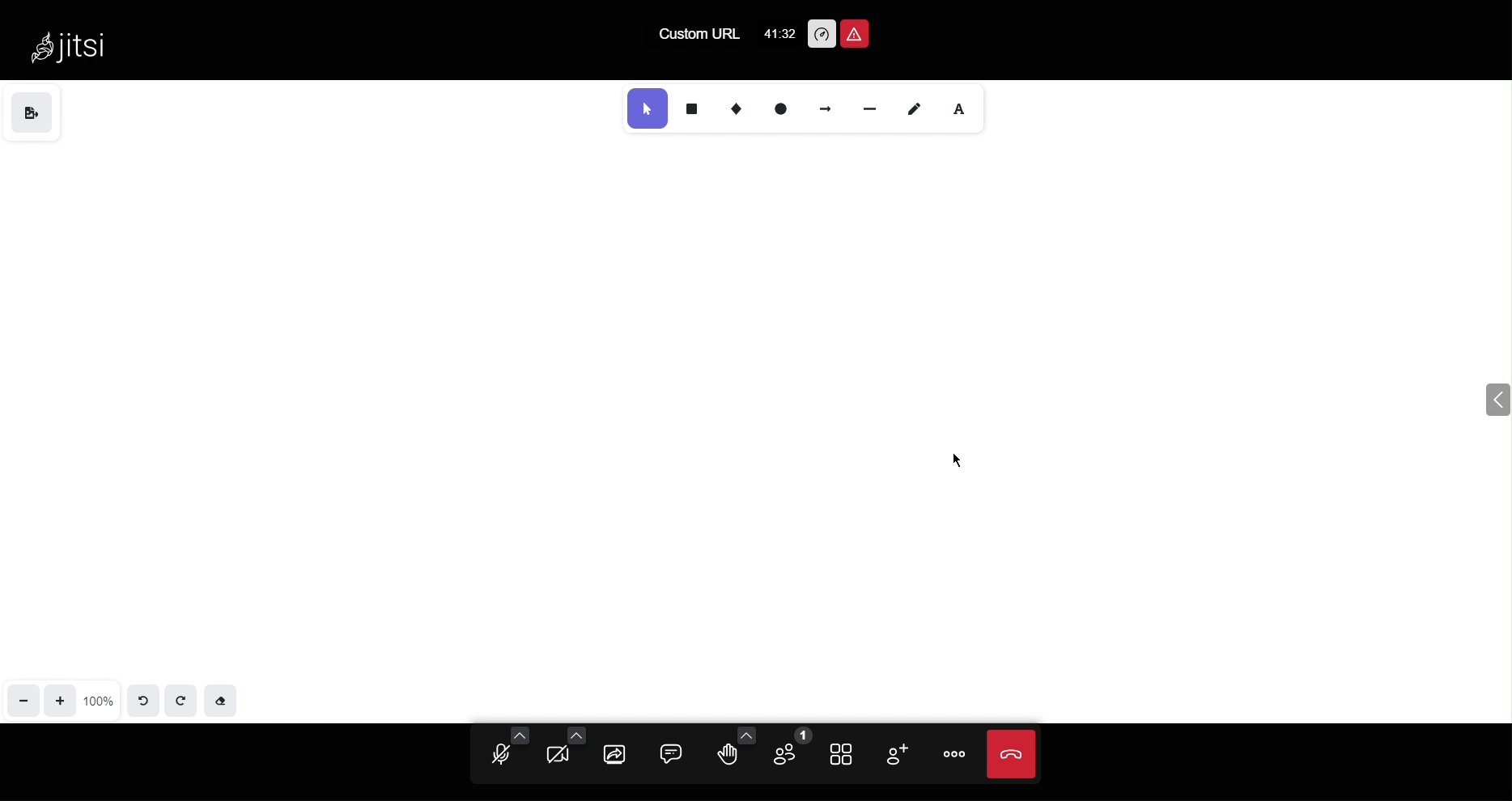 This screenshot has width=1512, height=801. Describe the element at coordinates (32, 111) in the screenshot. I see `Save` at that location.